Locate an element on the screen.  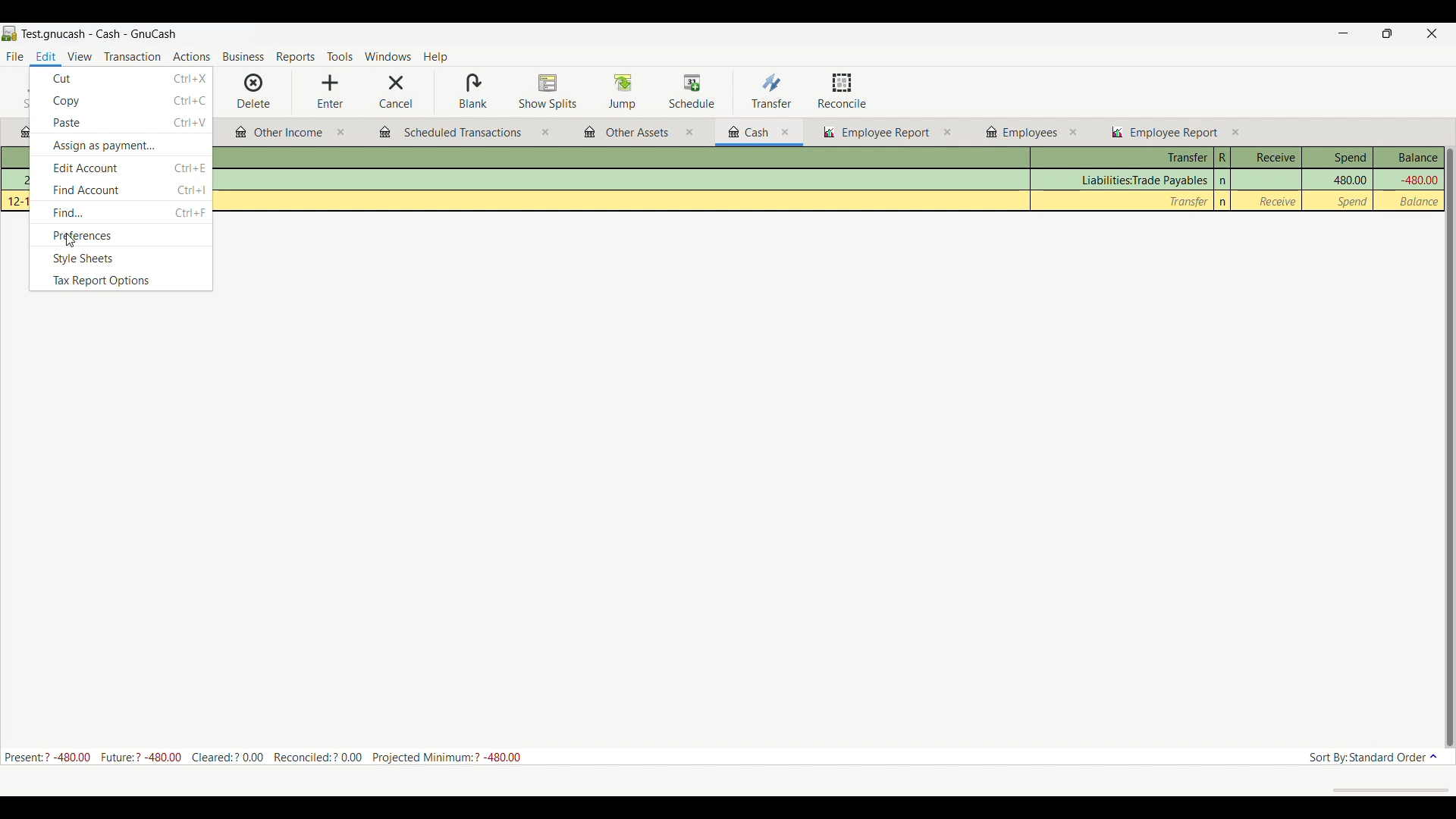
cursor is located at coordinates (71, 242).